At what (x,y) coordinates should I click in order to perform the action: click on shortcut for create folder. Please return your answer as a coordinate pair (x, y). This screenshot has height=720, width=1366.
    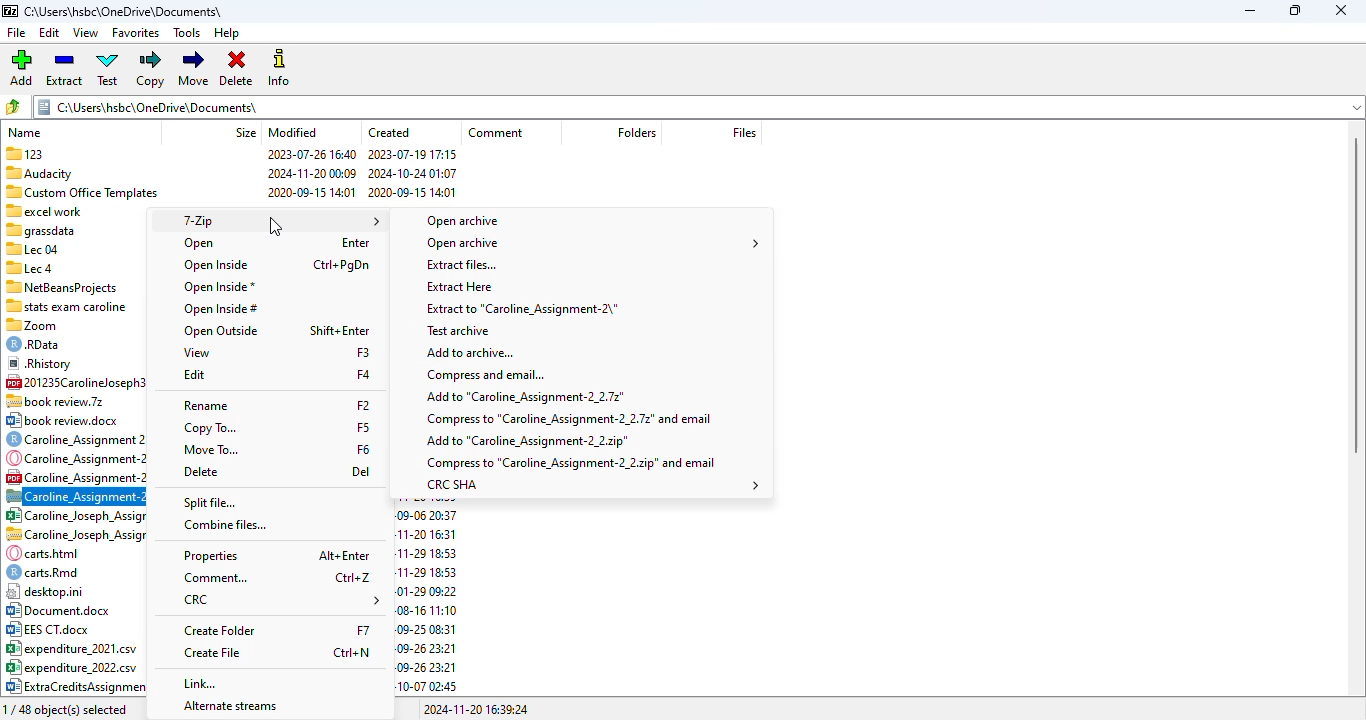
    Looking at the image, I should click on (364, 631).